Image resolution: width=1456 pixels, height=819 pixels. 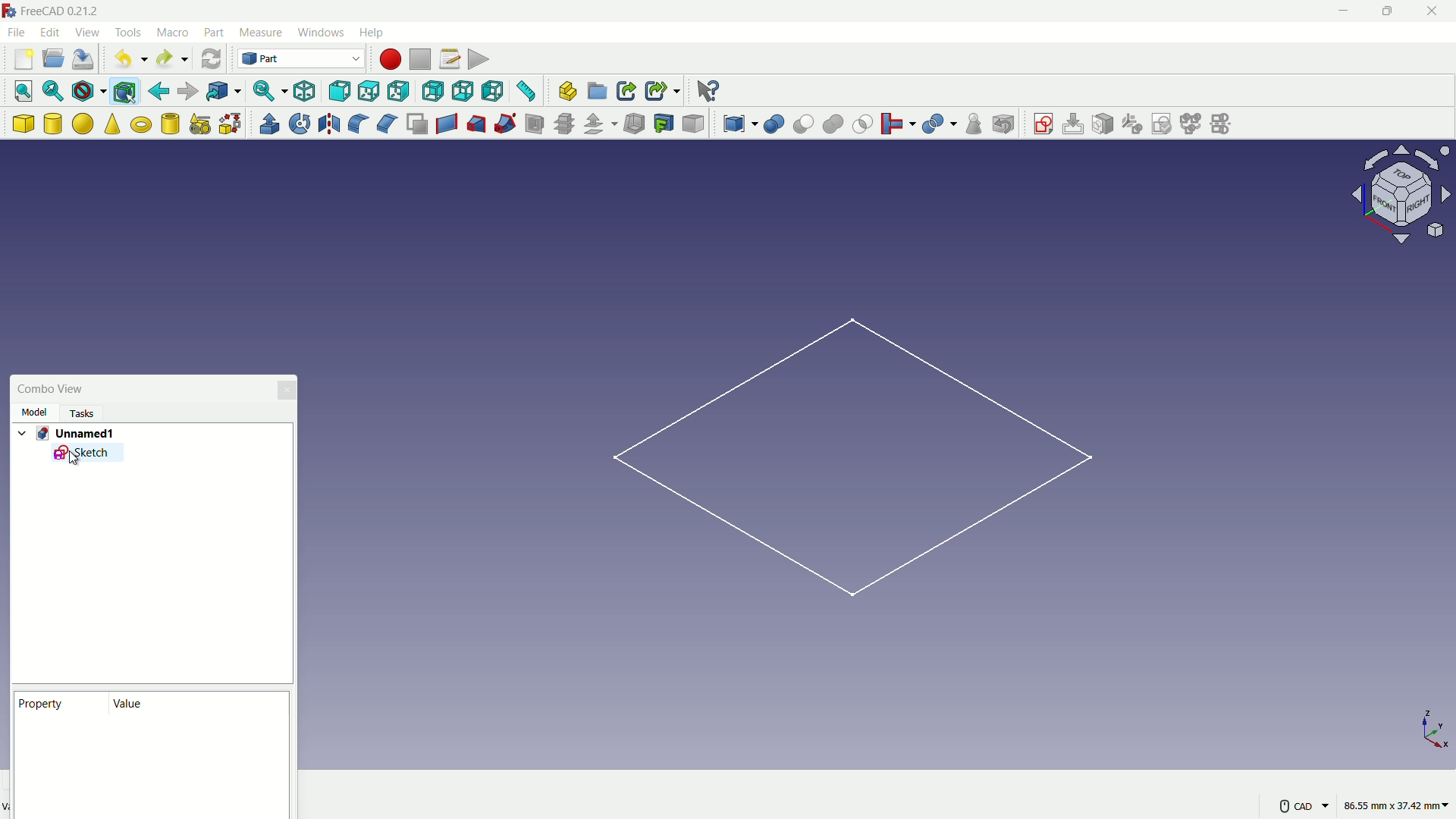 I want to click on chamfer, so click(x=387, y=124).